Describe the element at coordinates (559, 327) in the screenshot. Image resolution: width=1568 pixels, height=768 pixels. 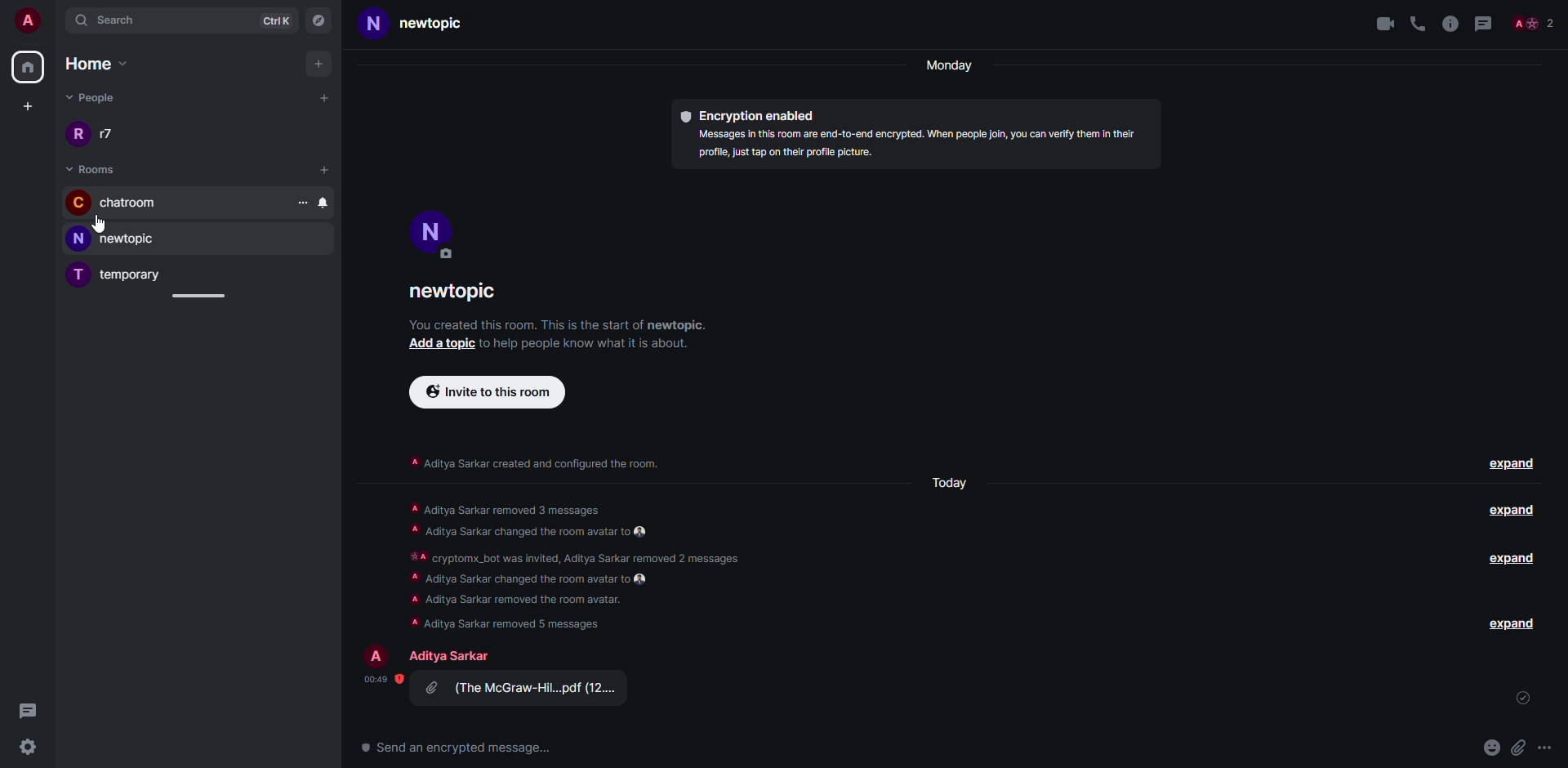
I see `info` at that location.